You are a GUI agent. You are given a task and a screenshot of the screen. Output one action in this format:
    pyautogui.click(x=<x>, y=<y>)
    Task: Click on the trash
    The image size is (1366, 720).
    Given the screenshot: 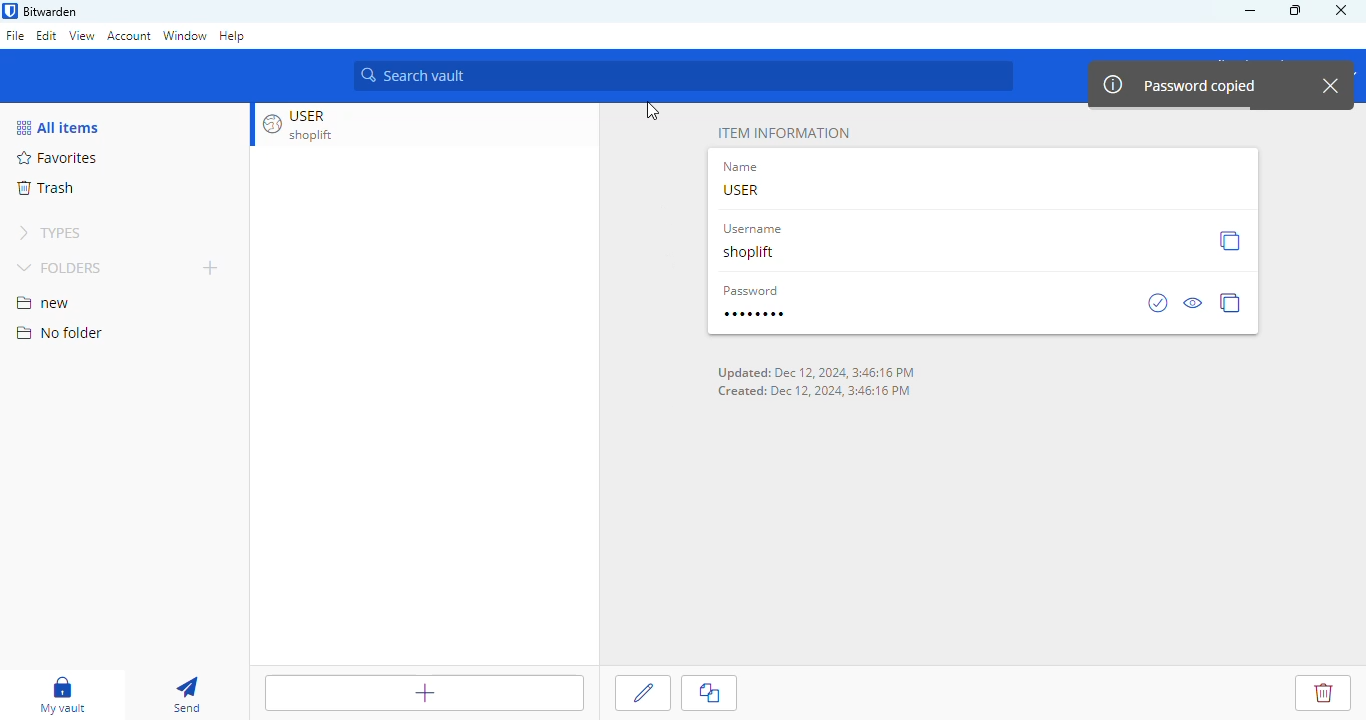 What is the action you would take?
    pyautogui.click(x=46, y=187)
    